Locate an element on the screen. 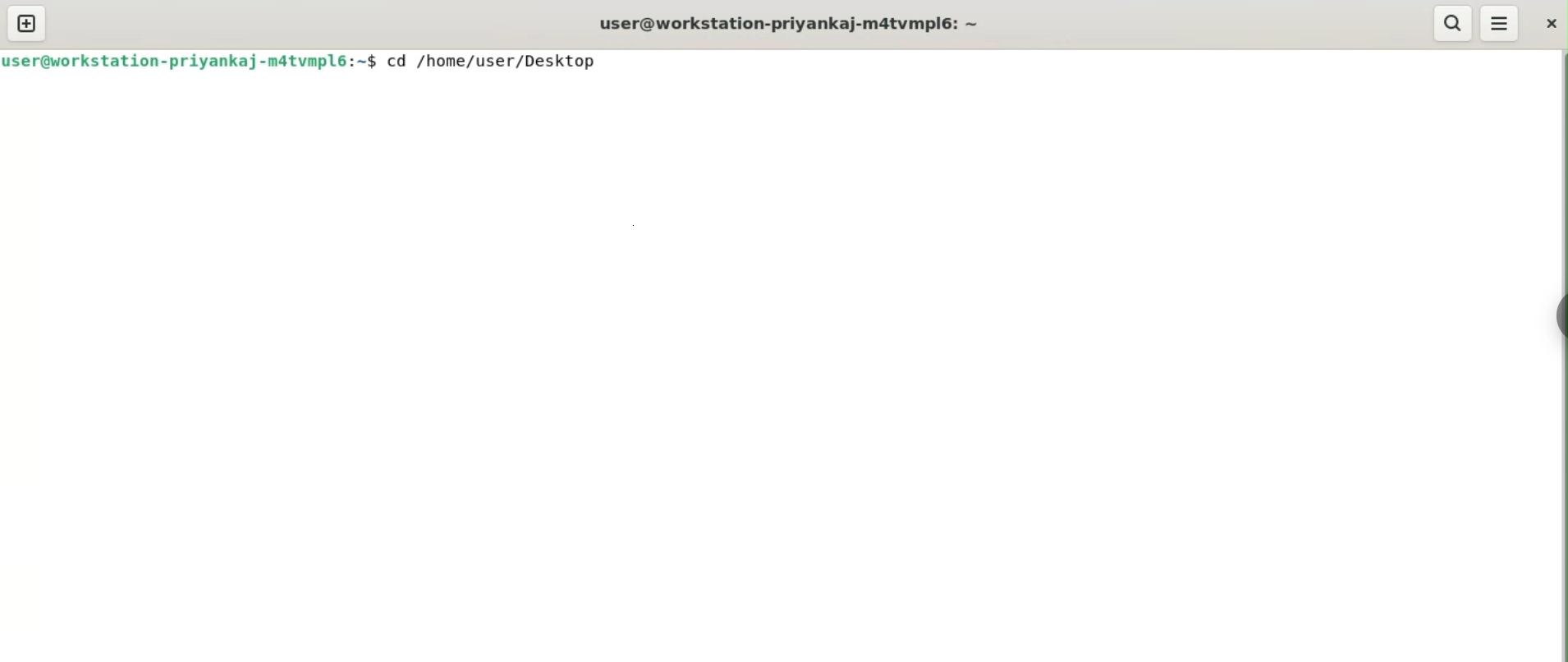  user@workstation-priyankaj-m4tvmpl6:~ is located at coordinates (791, 25).